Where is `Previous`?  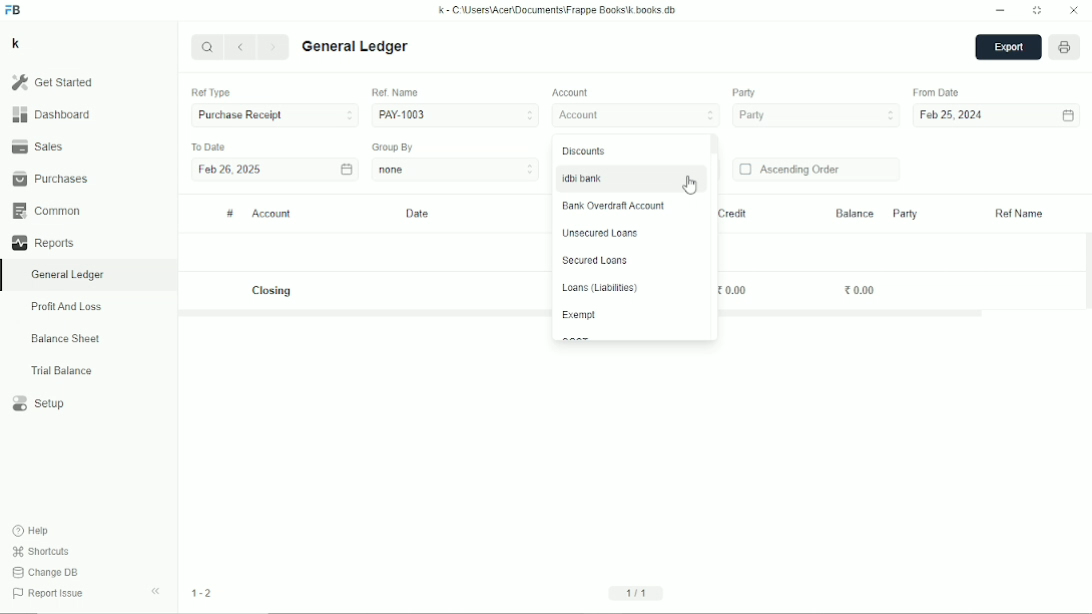
Previous is located at coordinates (242, 48).